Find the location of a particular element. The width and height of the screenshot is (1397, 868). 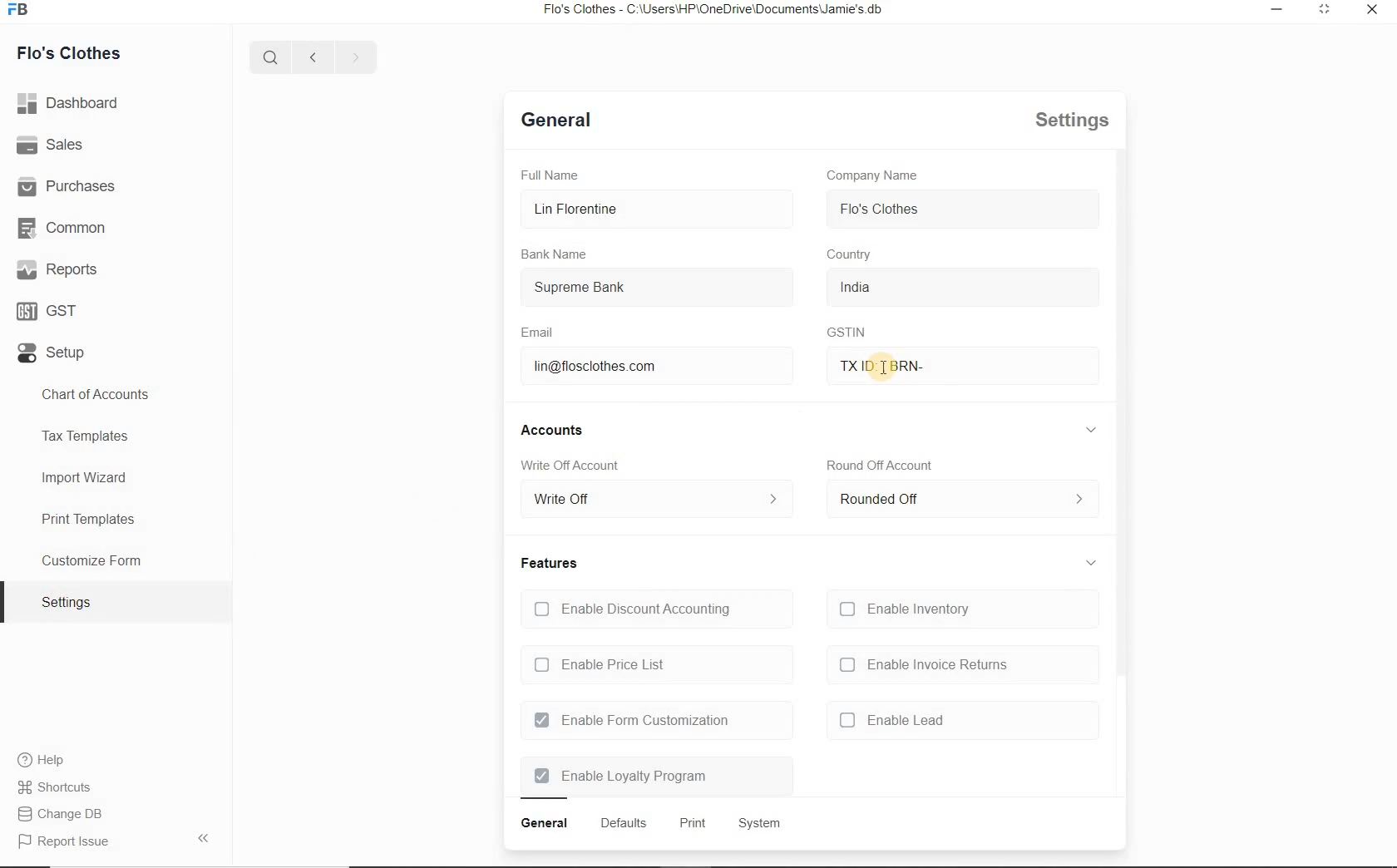

accounts is located at coordinates (558, 430).